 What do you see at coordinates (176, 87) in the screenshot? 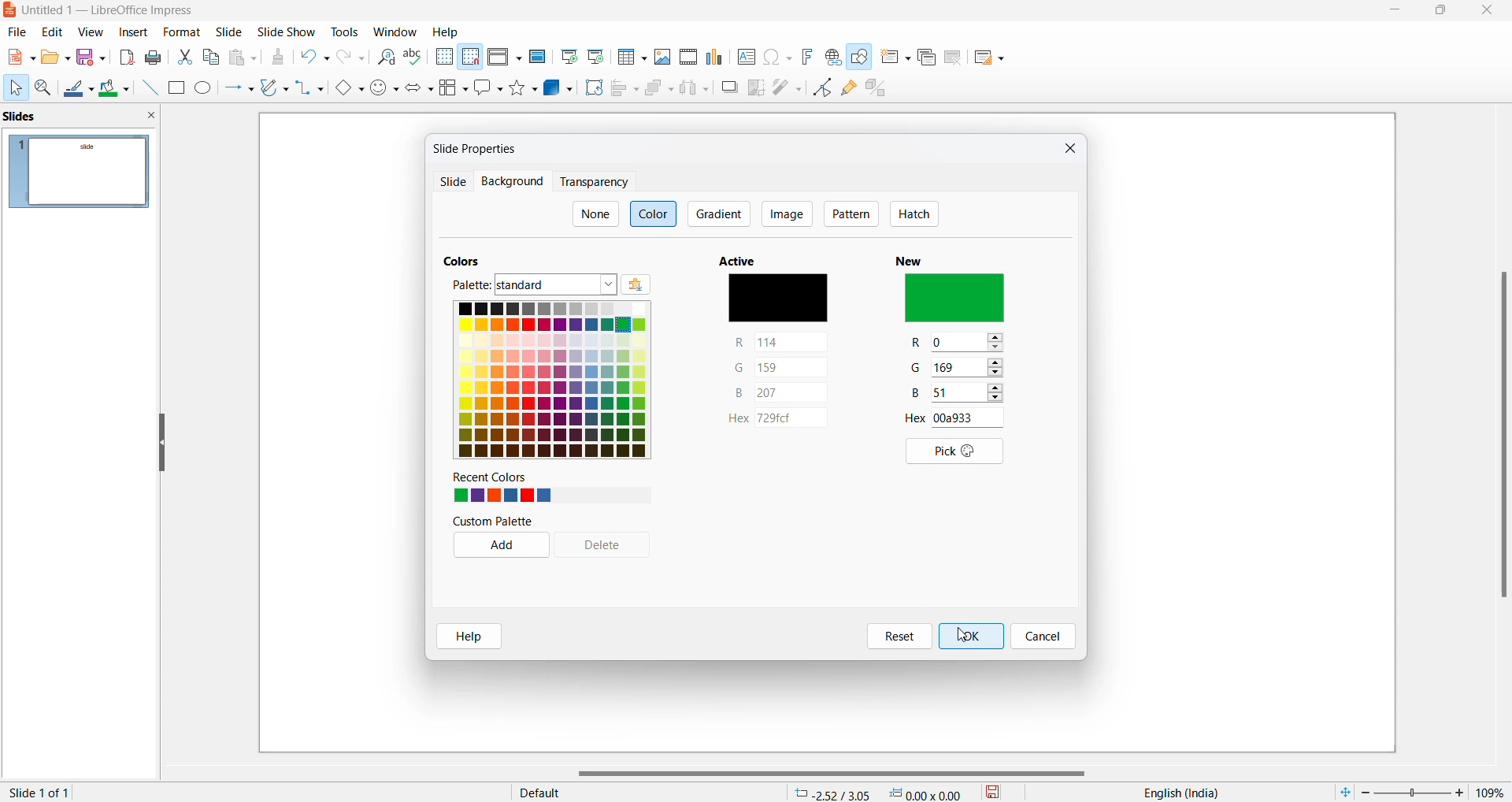
I see `rectangle ` at bounding box center [176, 87].